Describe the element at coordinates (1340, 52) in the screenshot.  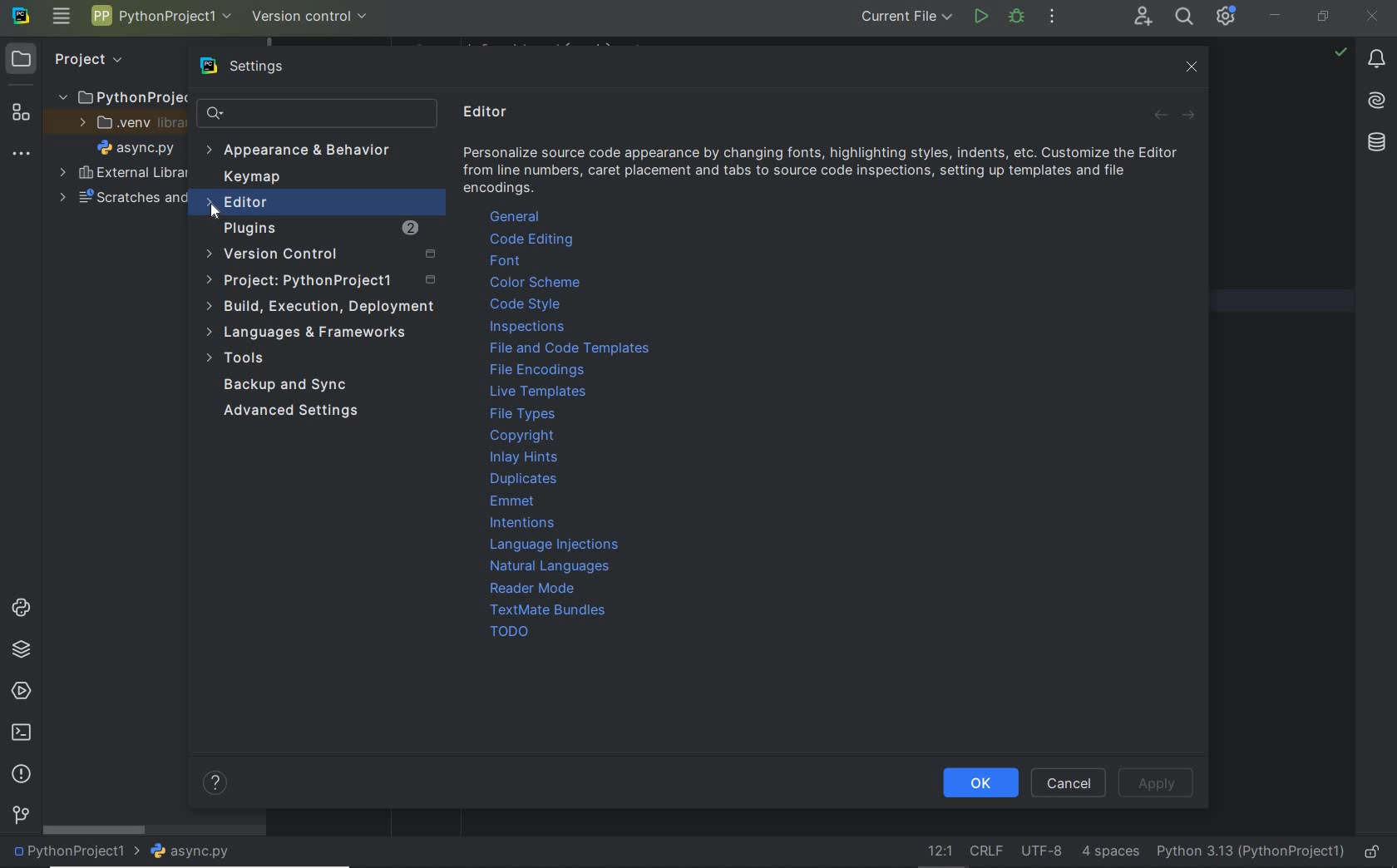
I see `no problem` at that location.